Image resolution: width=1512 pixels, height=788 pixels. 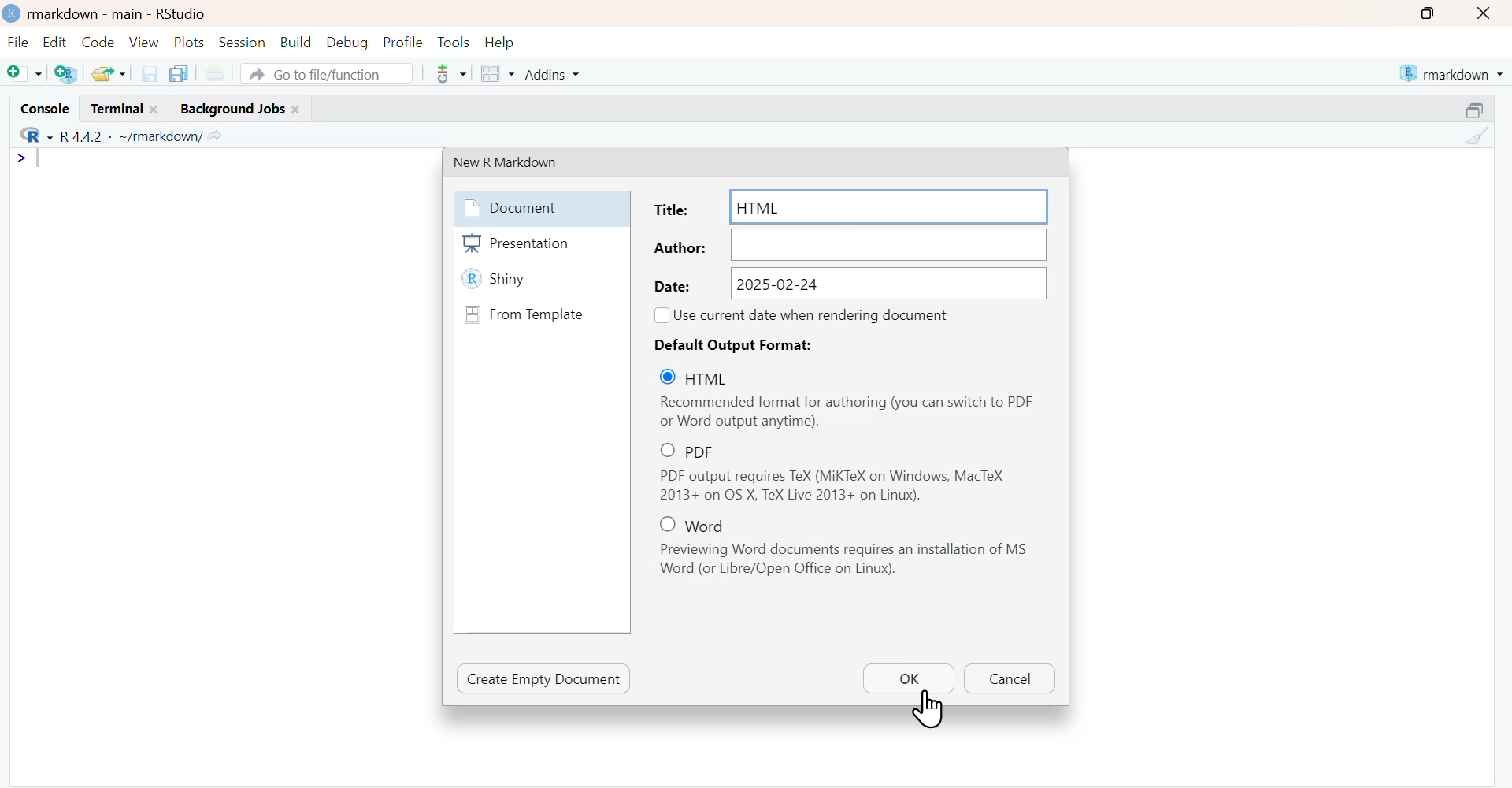 I want to click on From Template, so click(x=540, y=314).